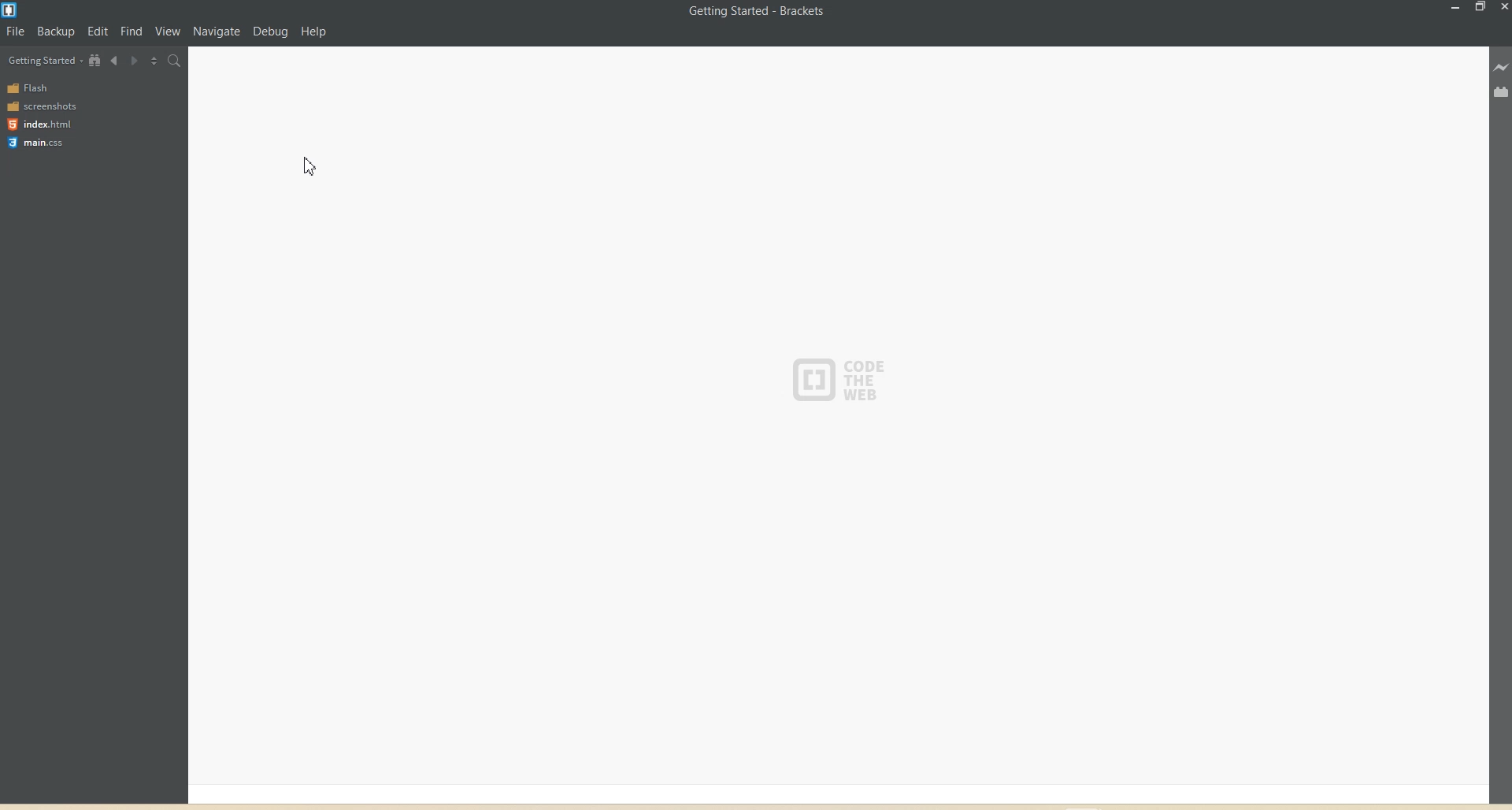  What do you see at coordinates (95, 60) in the screenshot?
I see `View in file Tree` at bounding box center [95, 60].